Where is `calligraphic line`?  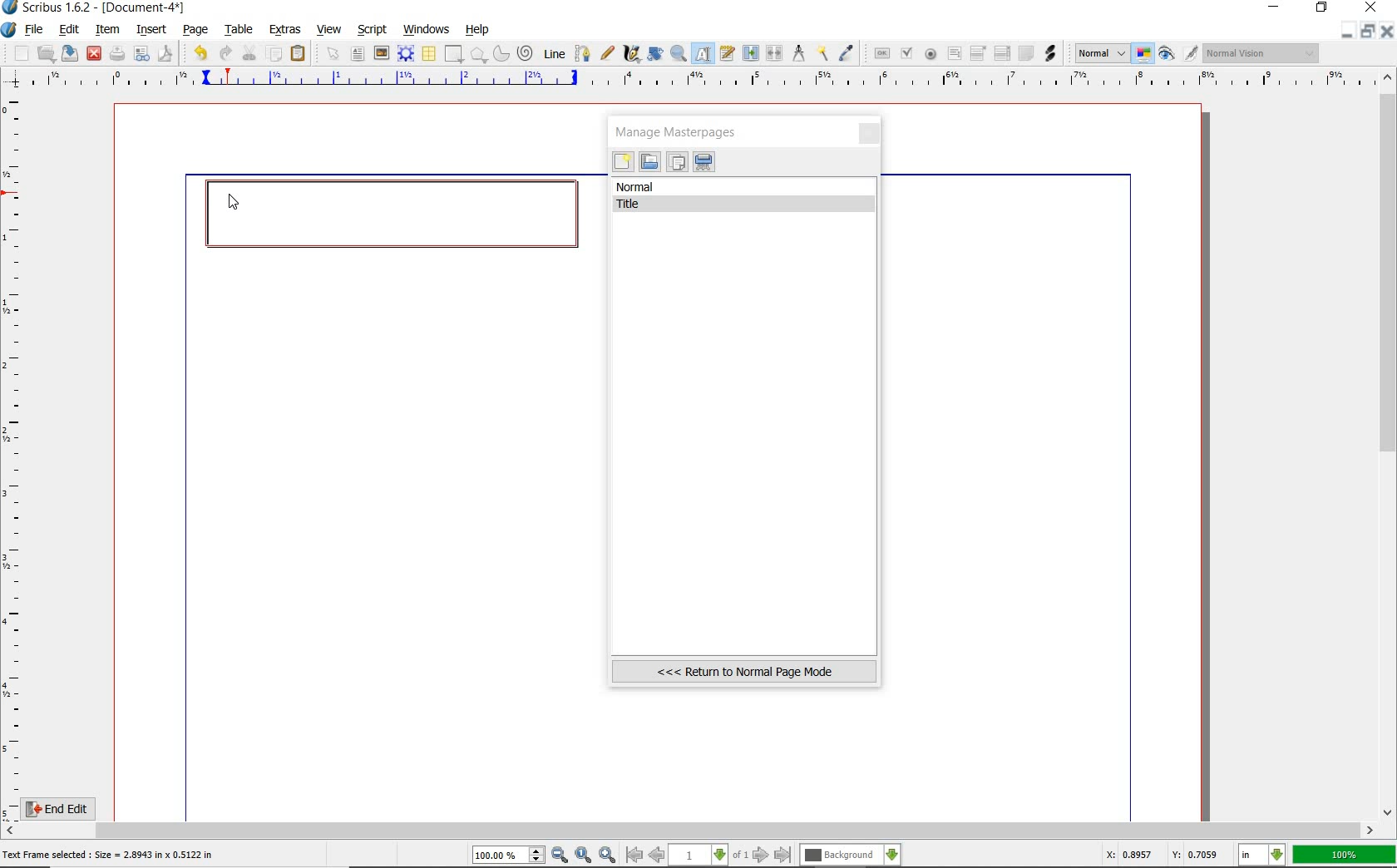 calligraphic line is located at coordinates (631, 54).